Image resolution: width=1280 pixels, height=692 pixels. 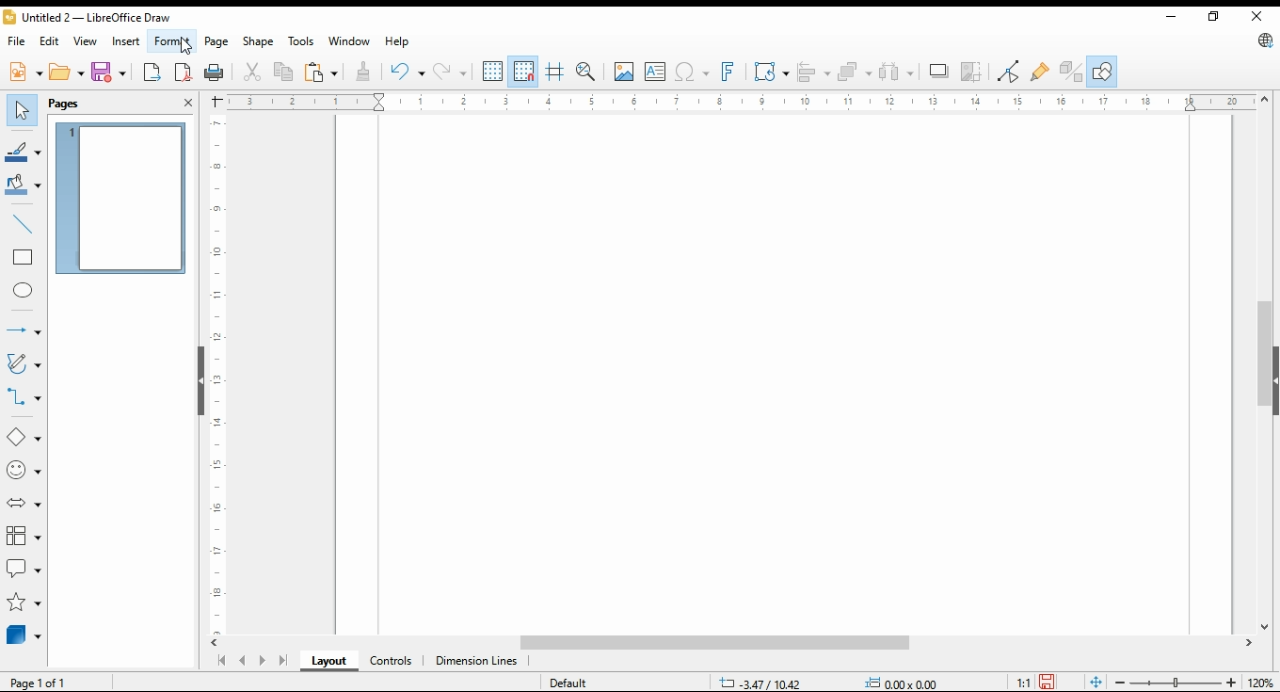 What do you see at coordinates (810, 70) in the screenshot?
I see `align objects` at bounding box center [810, 70].